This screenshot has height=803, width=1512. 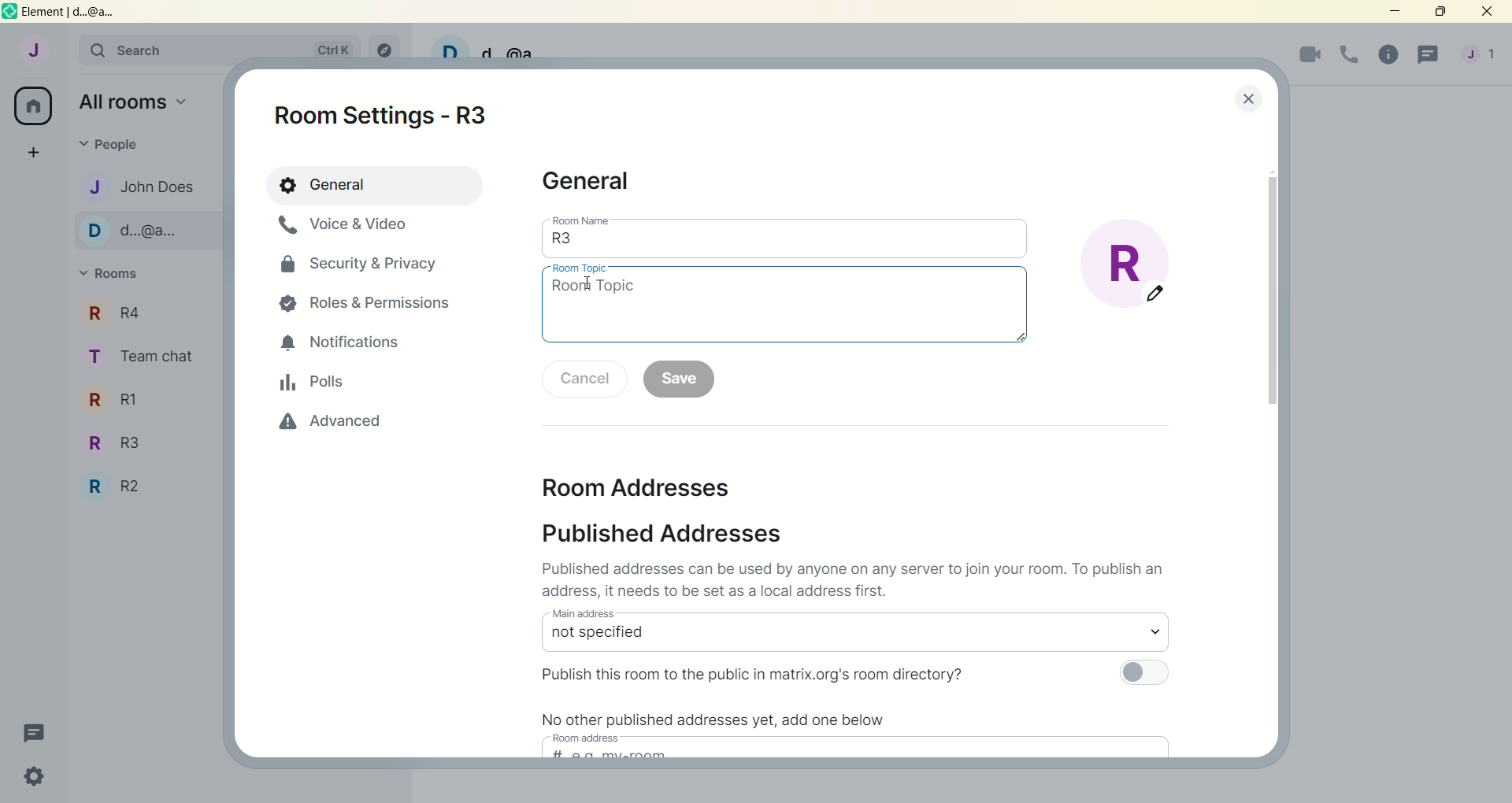 What do you see at coordinates (849, 637) in the screenshot?
I see `select main address` at bounding box center [849, 637].